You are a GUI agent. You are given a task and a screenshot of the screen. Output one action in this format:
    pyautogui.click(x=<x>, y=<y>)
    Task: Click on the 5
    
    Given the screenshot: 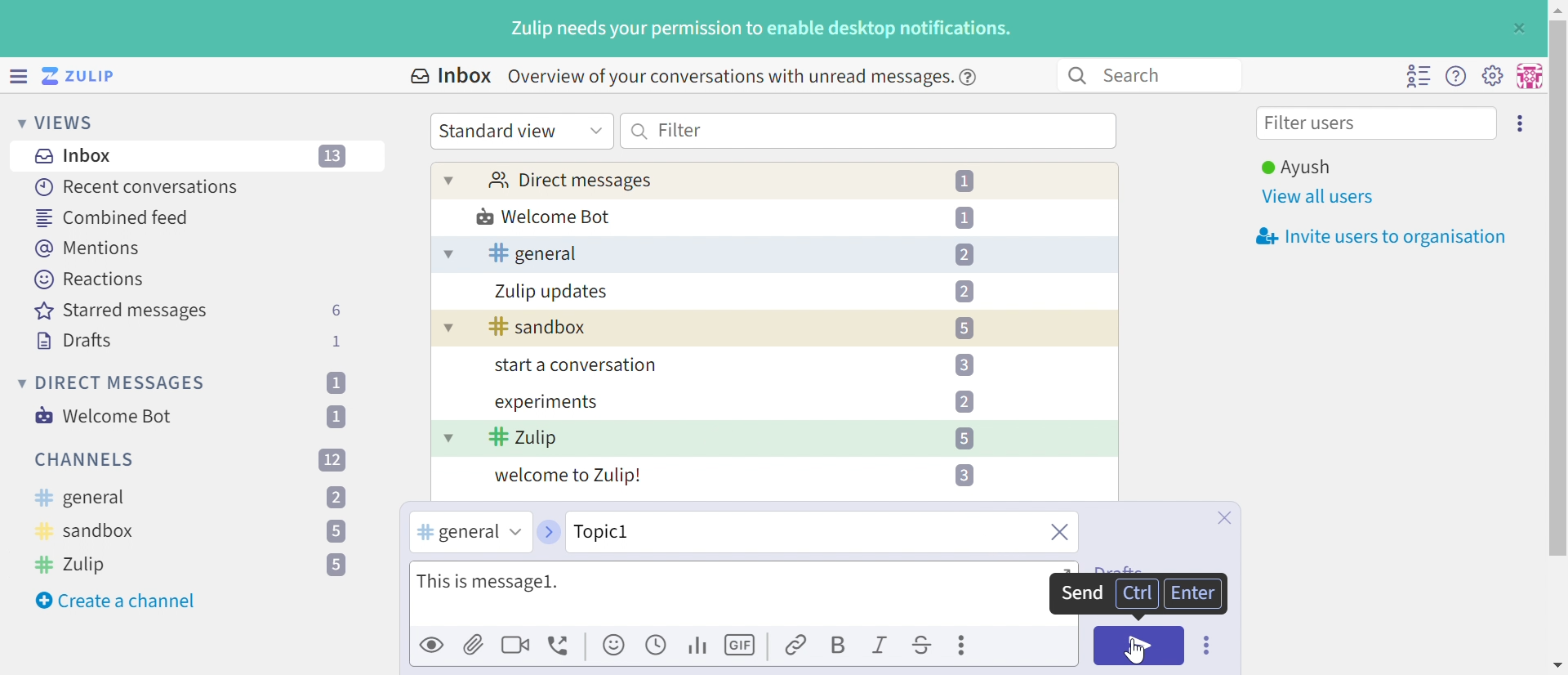 What is the action you would take?
    pyautogui.click(x=964, y=329)
    